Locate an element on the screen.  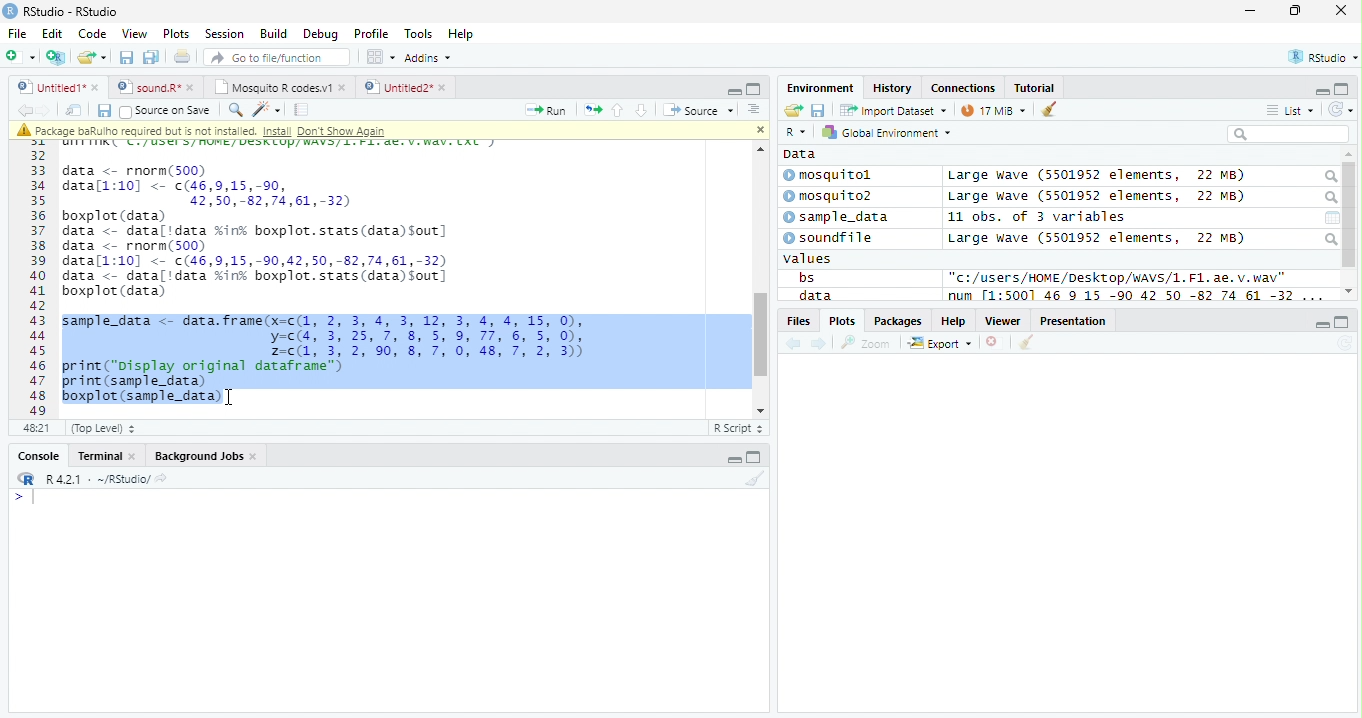
values is located at coordinates (808, 259).